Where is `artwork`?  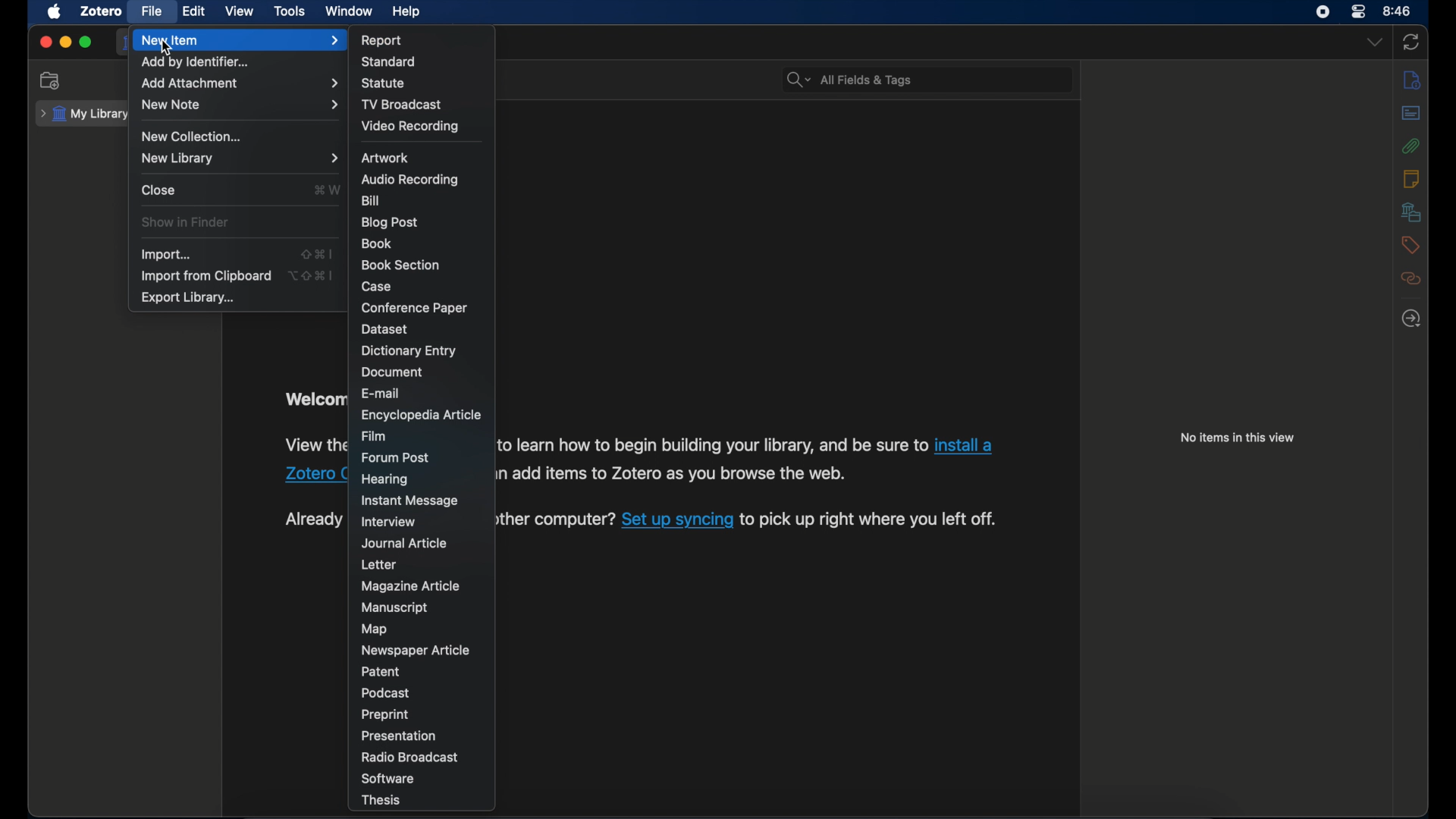
artwork is located at coordinates (386, 157).